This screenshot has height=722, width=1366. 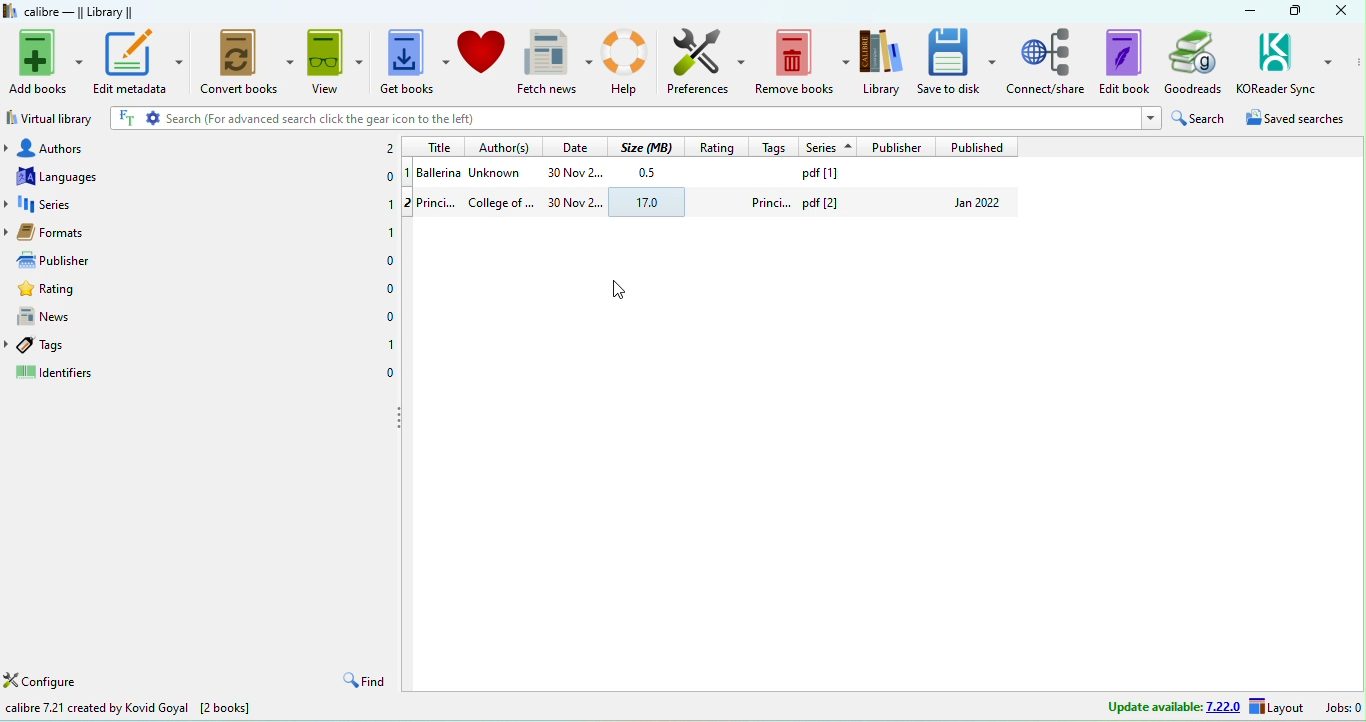 I want to click on formats, so click(x=83, y=230).